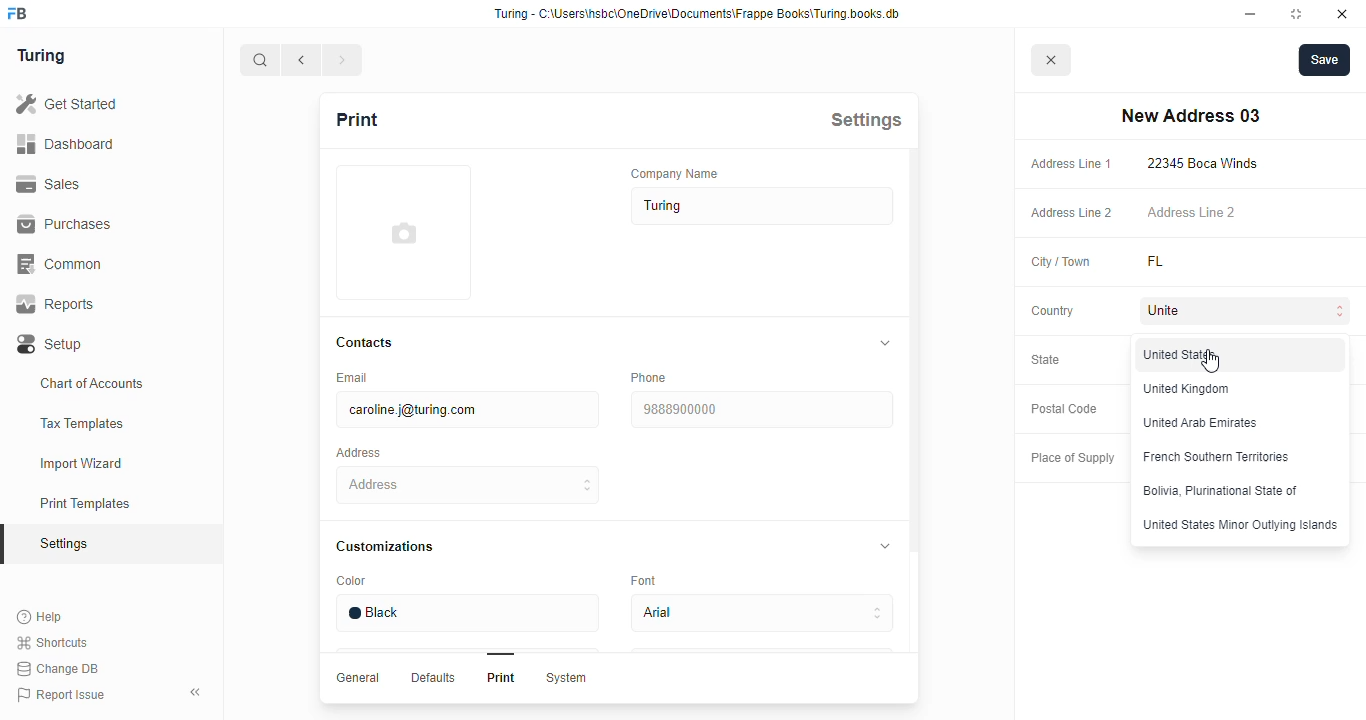 Image resolution: width=1366 pixels, height=720 pixels. What do you see at coordinates (763, 206) in the screenshot?
I see `turing` at bounding box center [763, 206].